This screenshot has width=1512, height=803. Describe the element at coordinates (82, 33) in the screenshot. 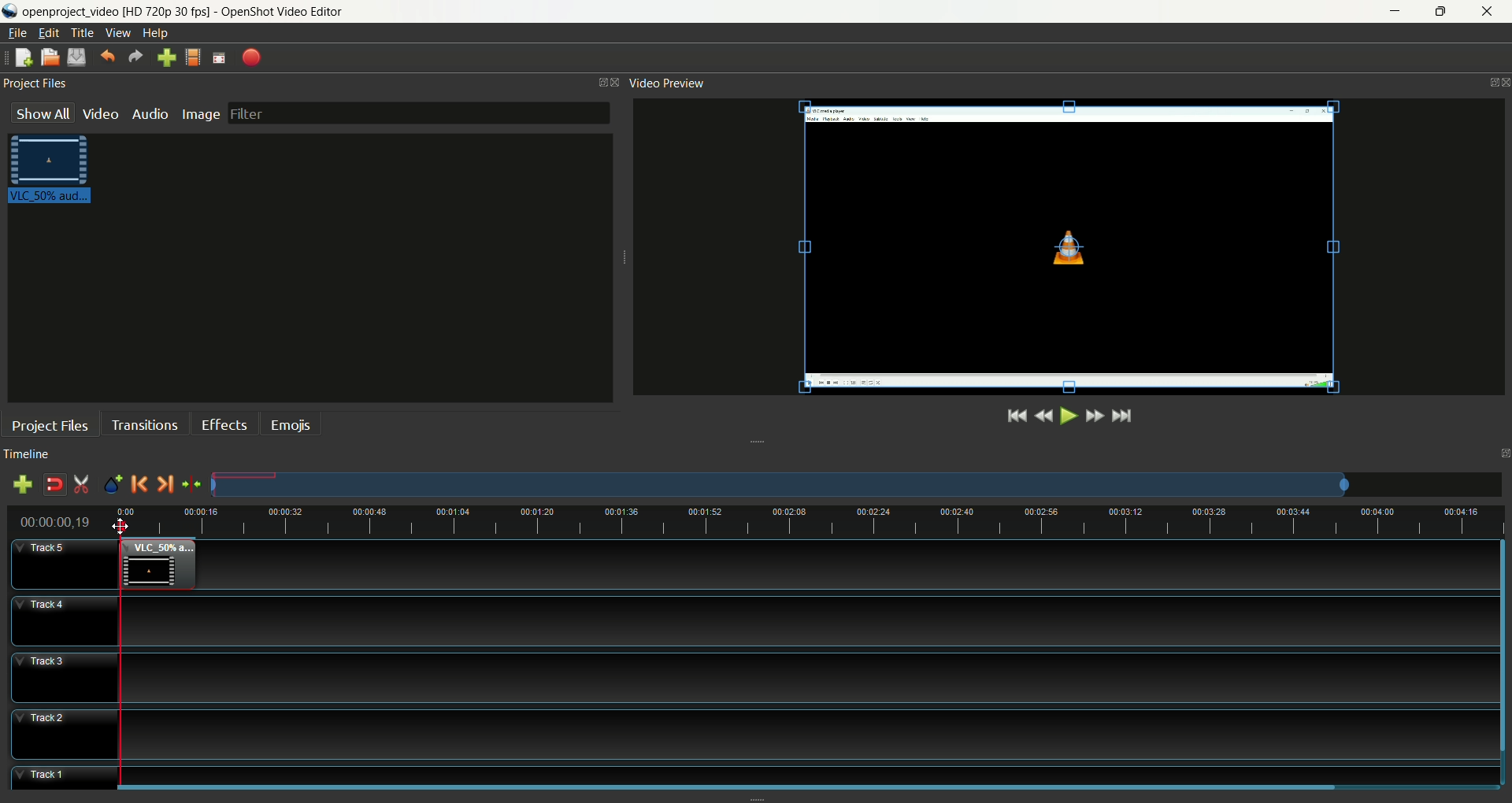

I see `title` at that location.